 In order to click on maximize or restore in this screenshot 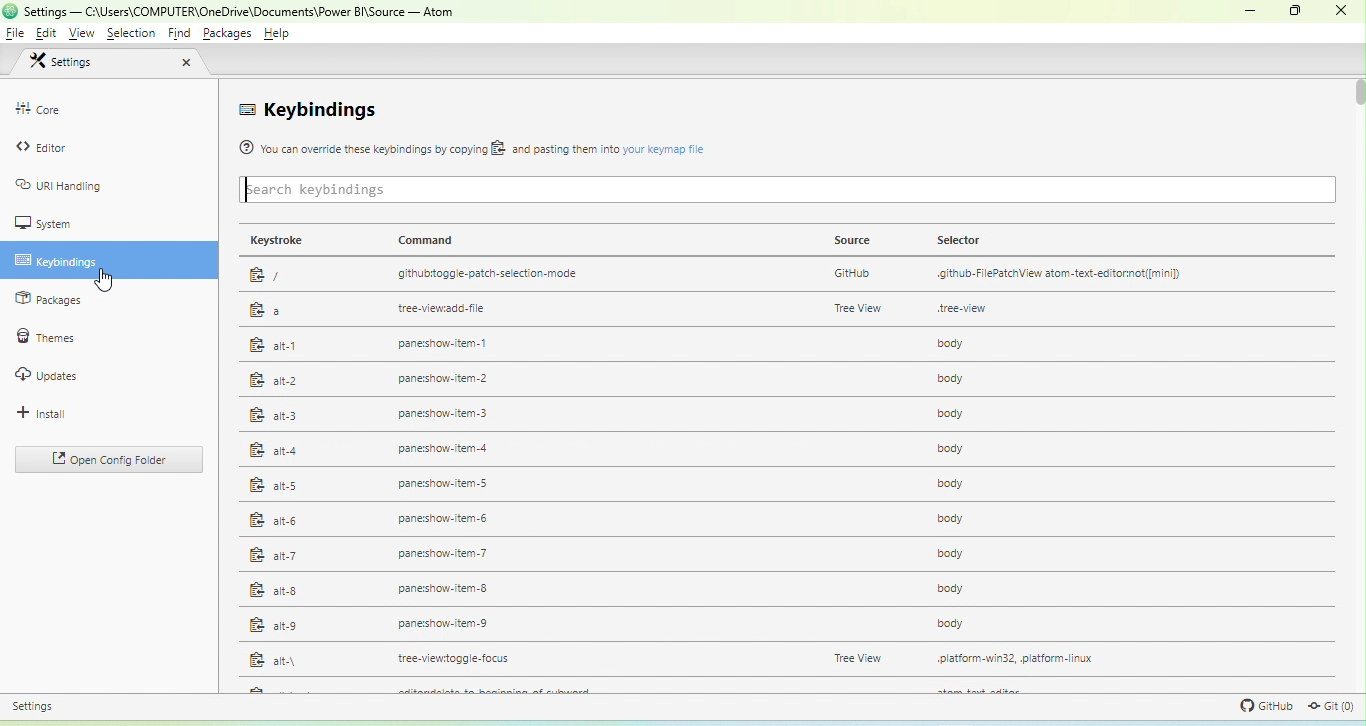, I will do `click(1294, 12)`.